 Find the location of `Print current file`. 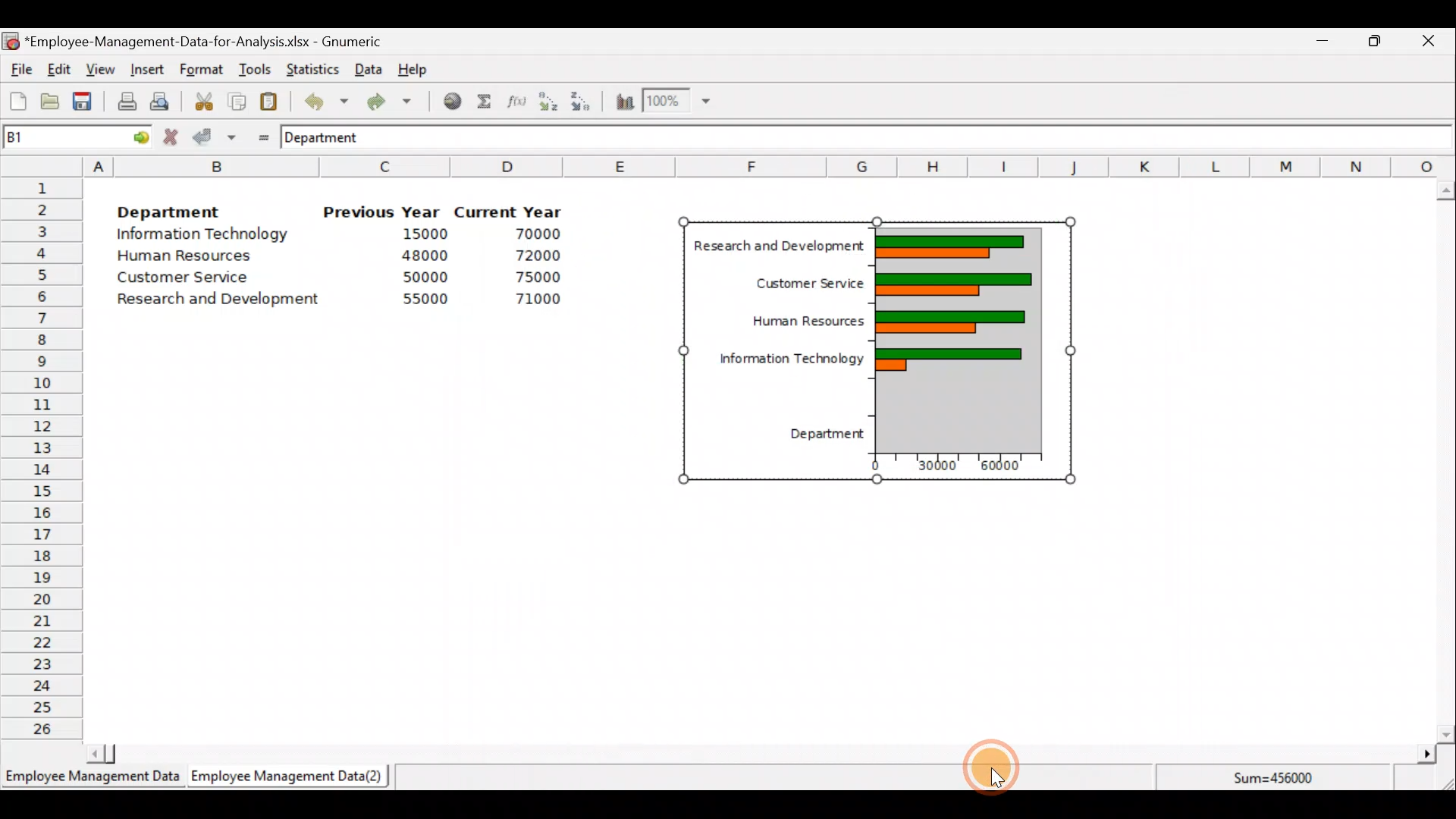

Print current file is located at coordinates (127, 101).